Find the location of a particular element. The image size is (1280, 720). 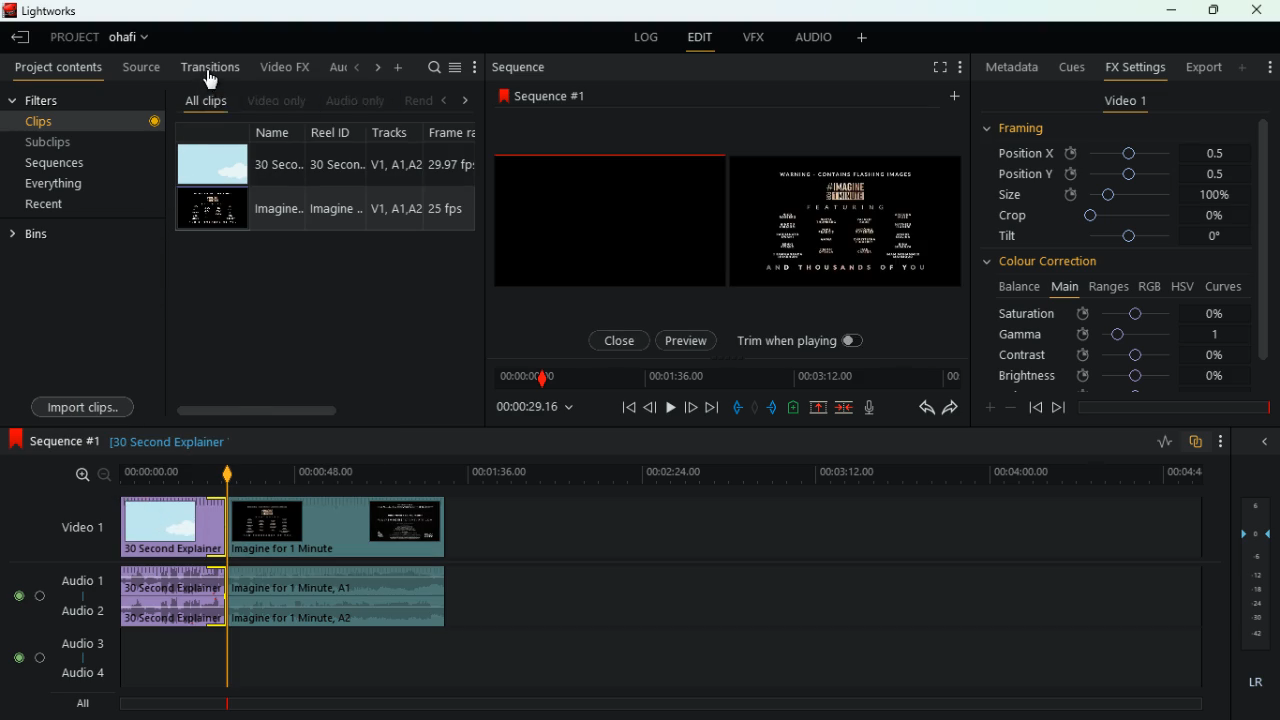

contrast is located at coordinates (1113, 354).